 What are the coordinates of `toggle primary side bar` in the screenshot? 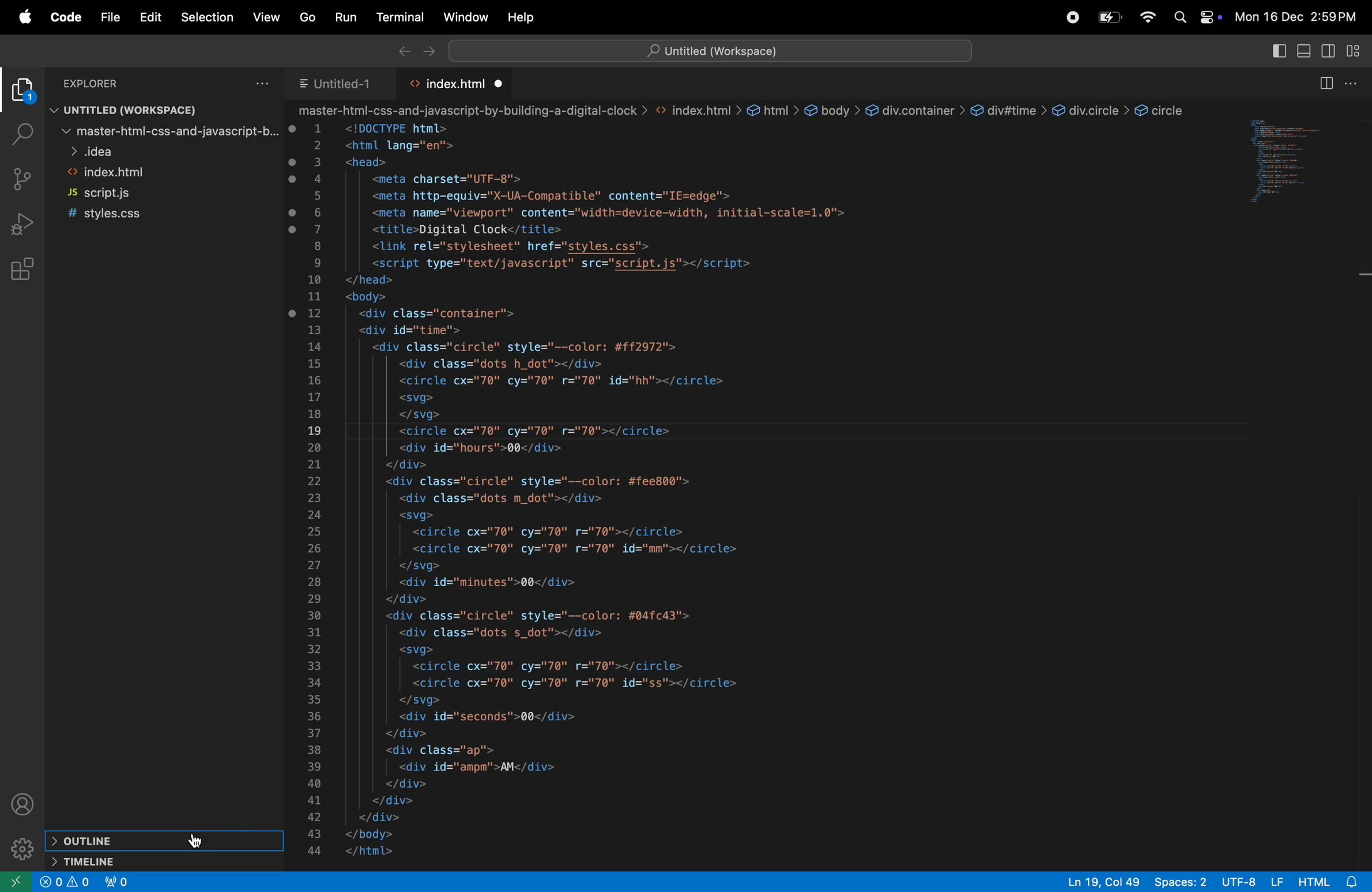 It's located at (1277, 50).